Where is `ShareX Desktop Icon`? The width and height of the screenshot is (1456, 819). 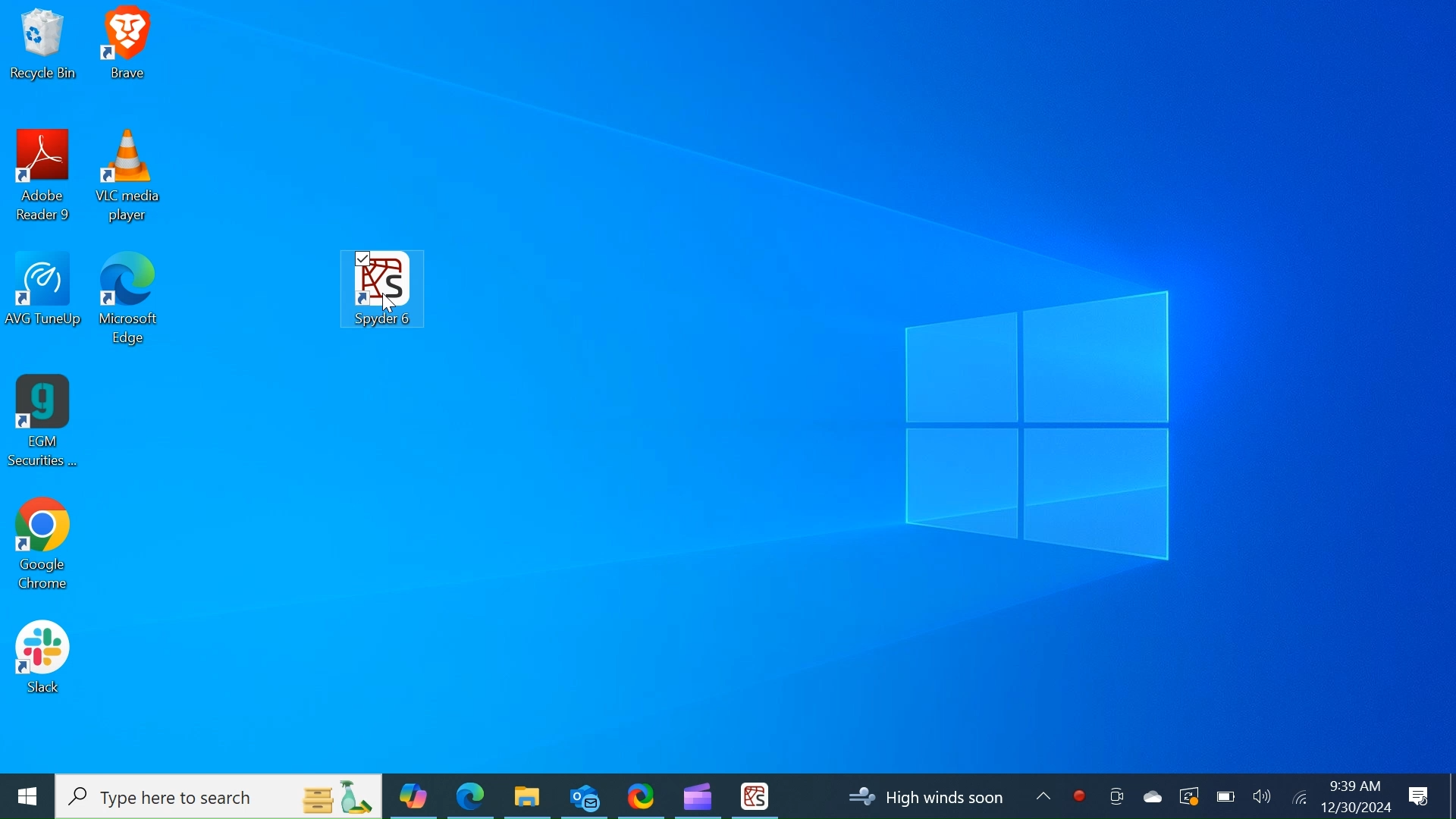
ShareX Desktop Icon is located at coordinates (640, 795).